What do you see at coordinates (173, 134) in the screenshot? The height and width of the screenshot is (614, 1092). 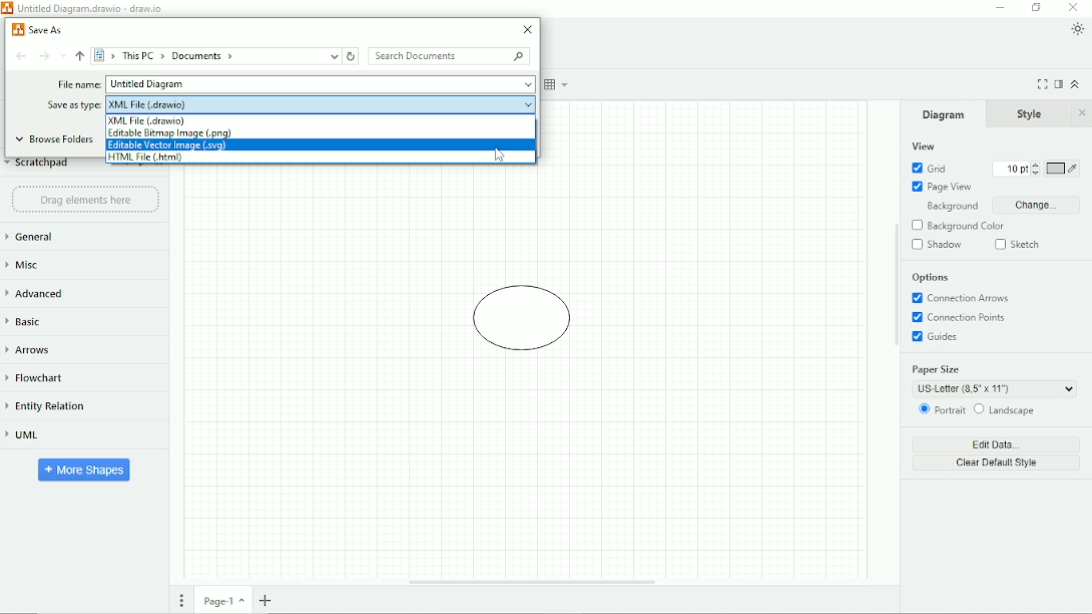 I see `Editable Bitmap Image (.png)` at bounding box center [173, 134].